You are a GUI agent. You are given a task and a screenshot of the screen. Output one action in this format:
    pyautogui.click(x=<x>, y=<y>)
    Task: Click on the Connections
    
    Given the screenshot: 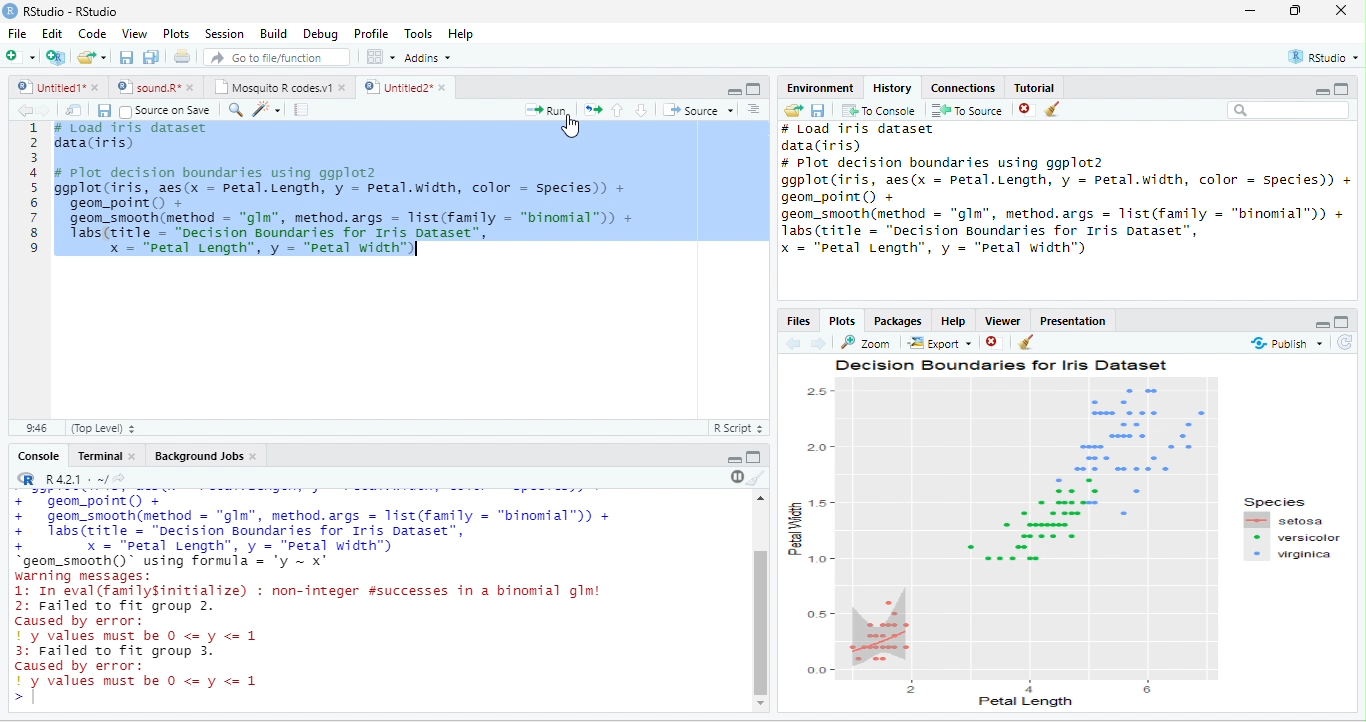 What is the action you would take?
    pyautogui.click(x=962, y=88)
    